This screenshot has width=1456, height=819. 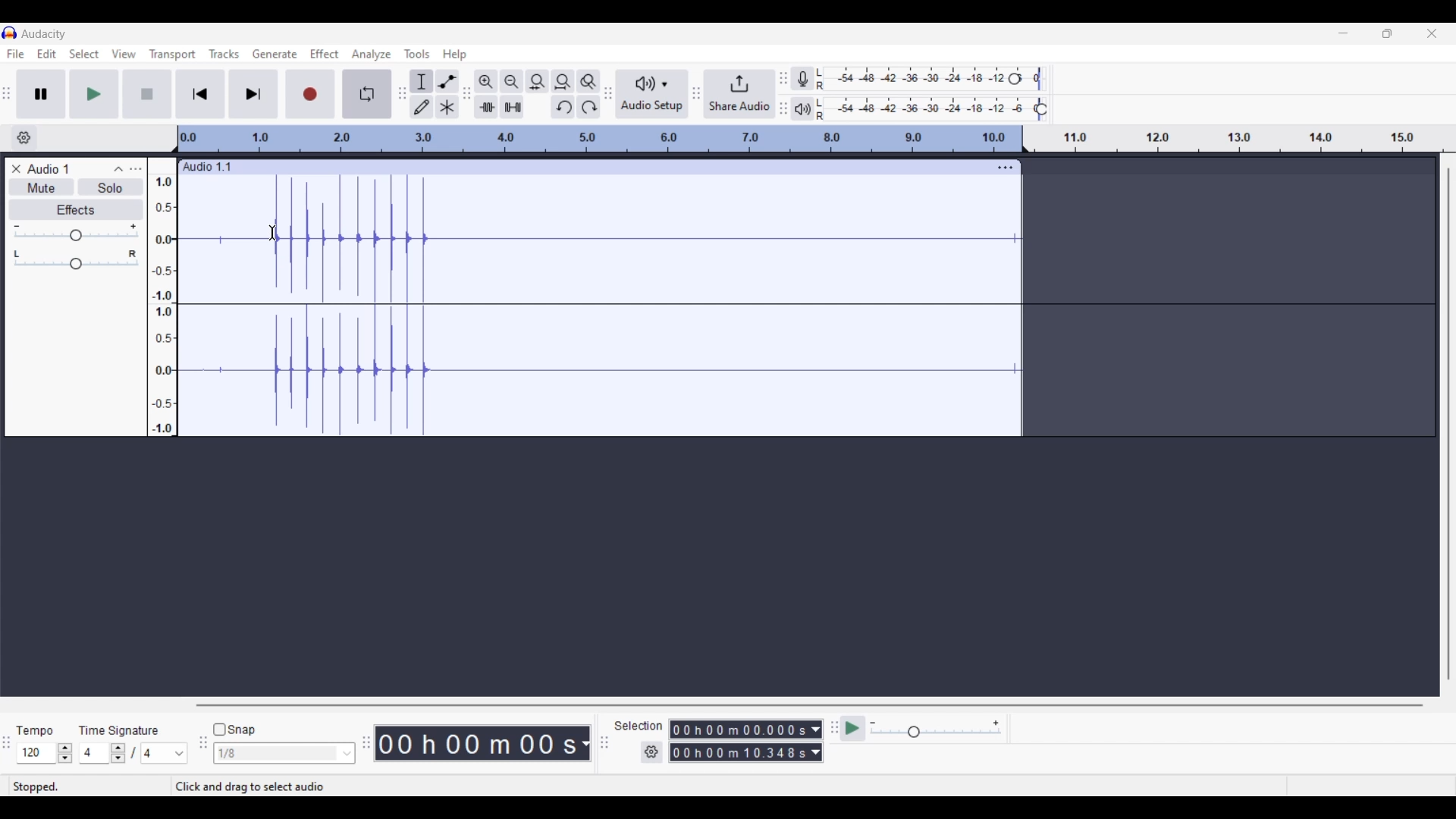 What do you see at coordinates (562, 107) in the screenshot?
I see `Undo` at bounding box center [562, 107].